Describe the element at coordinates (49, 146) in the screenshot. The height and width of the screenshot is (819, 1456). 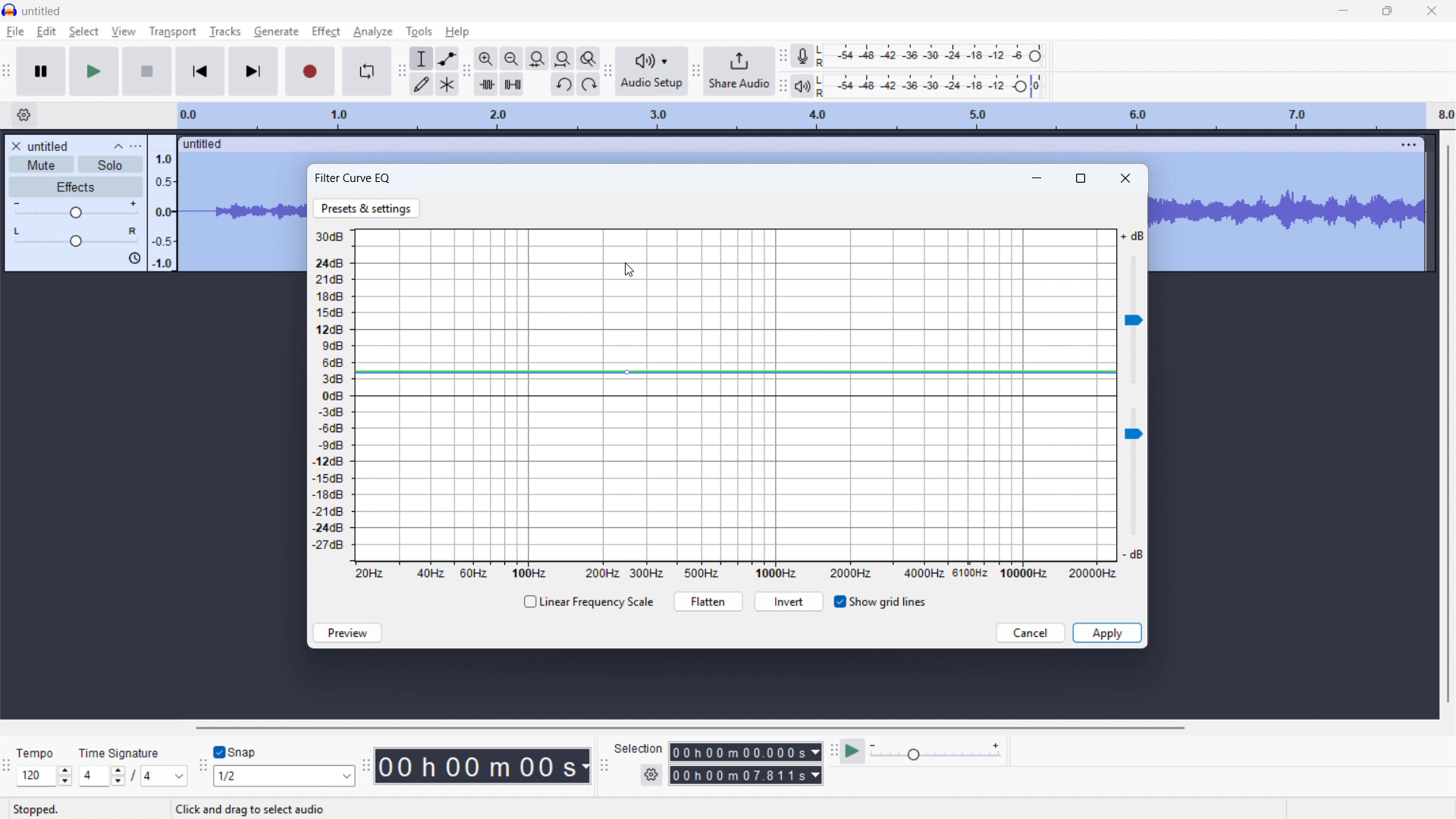
I see `track title` at that location.